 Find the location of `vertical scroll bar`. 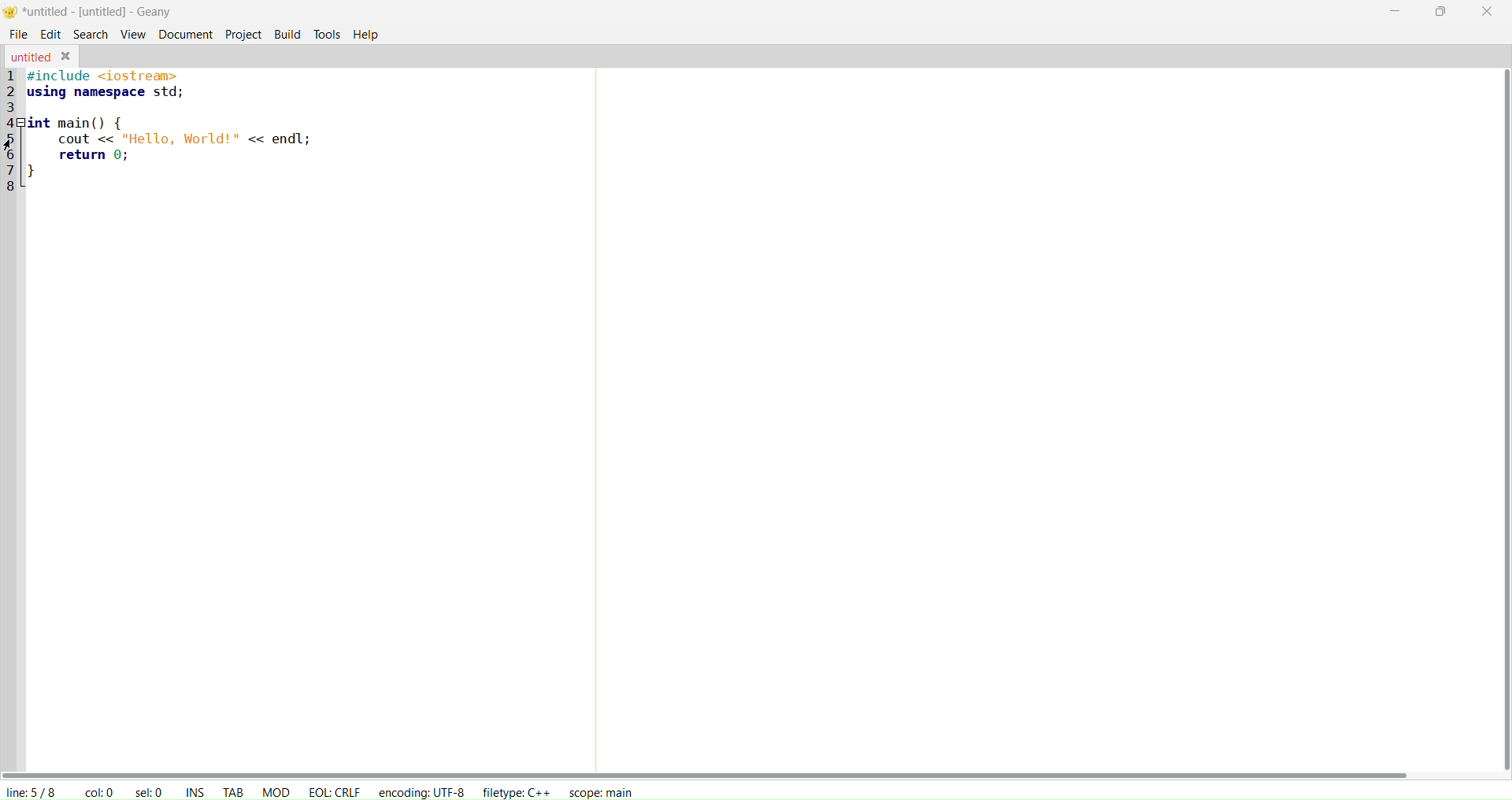

vertical scroll bar is located at coordinates (1507, 423).